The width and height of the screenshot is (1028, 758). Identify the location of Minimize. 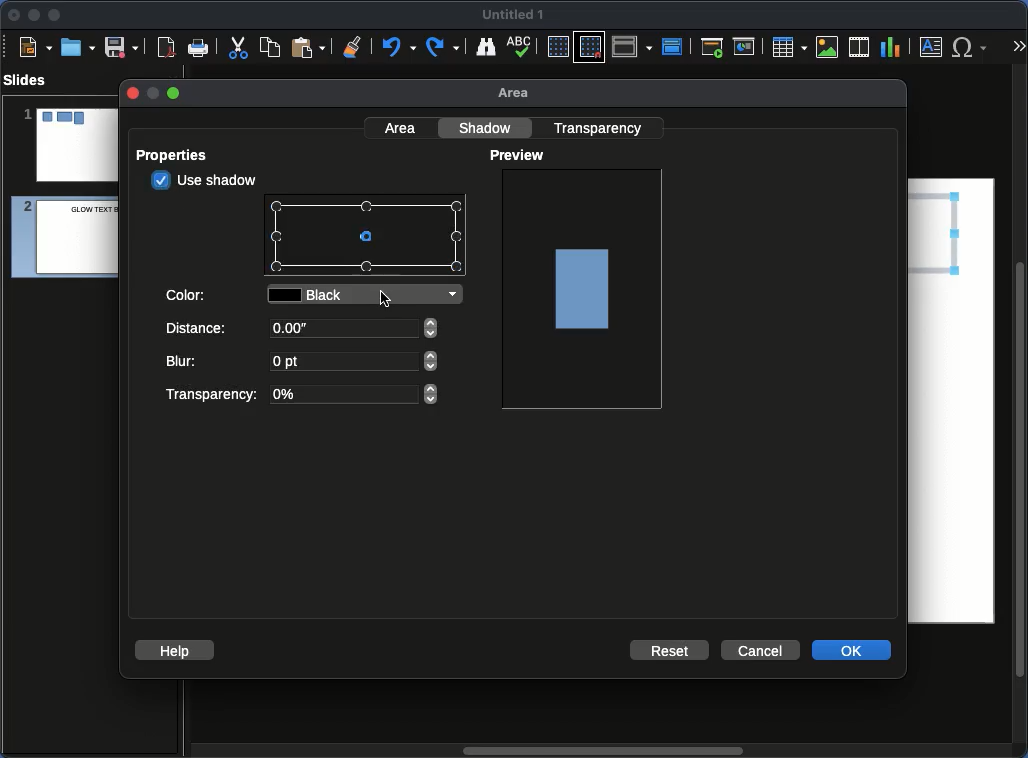
(33, 14).